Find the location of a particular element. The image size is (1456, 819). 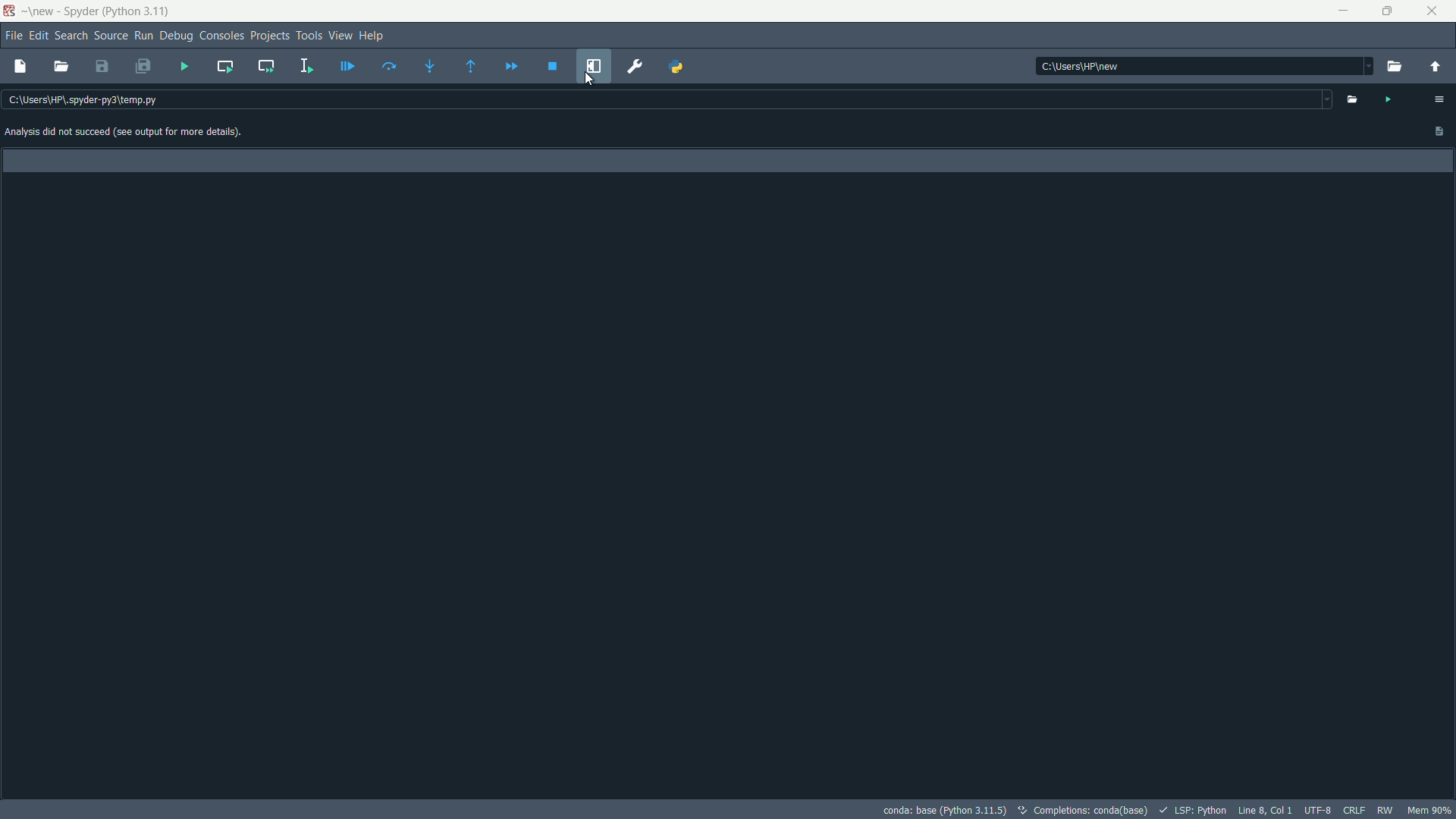

file encoding is located at coordinates (1319, 810).